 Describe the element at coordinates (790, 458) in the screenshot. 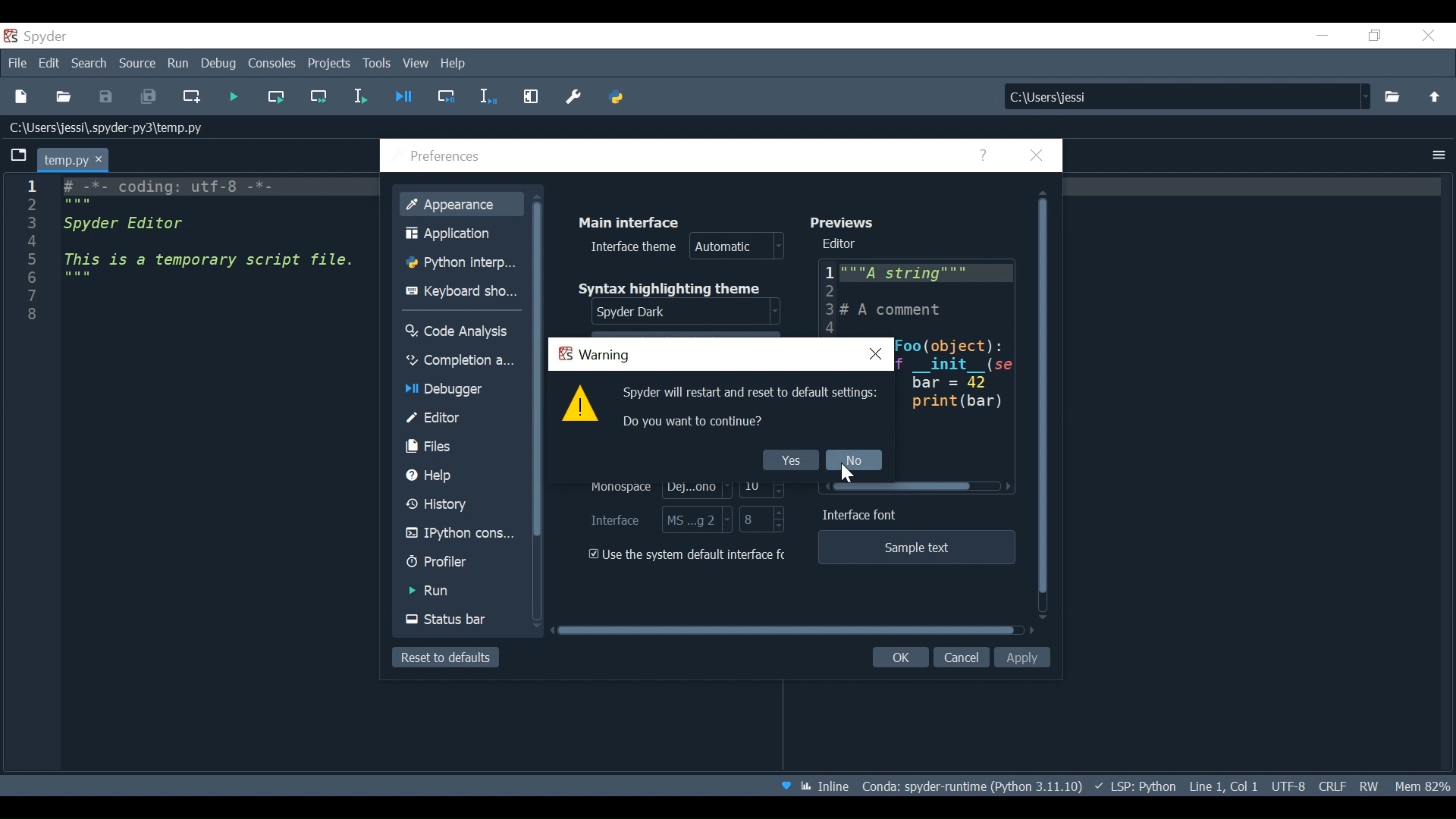

I see `Yes` at that location.